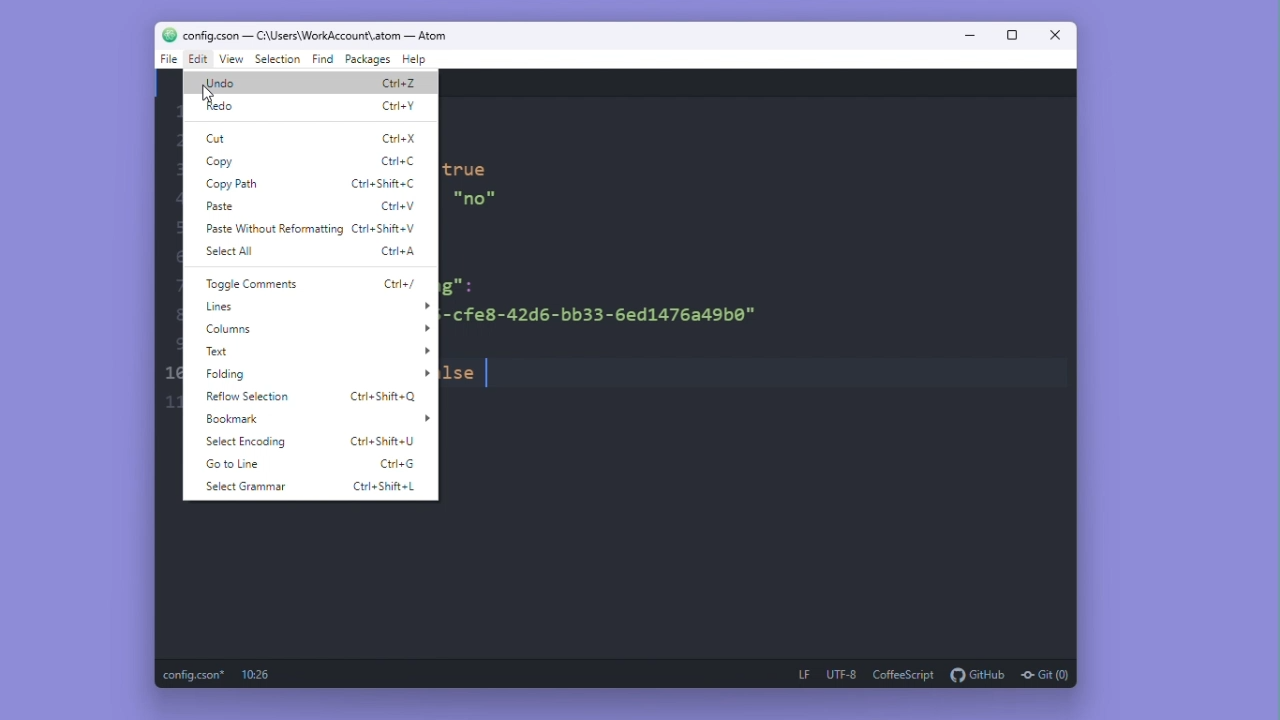 This screenshot has height=720, width=1280. What do you see at coordinates (279, 61) in the screenshot?
I see `Selection` at bounding box center [279, 61].